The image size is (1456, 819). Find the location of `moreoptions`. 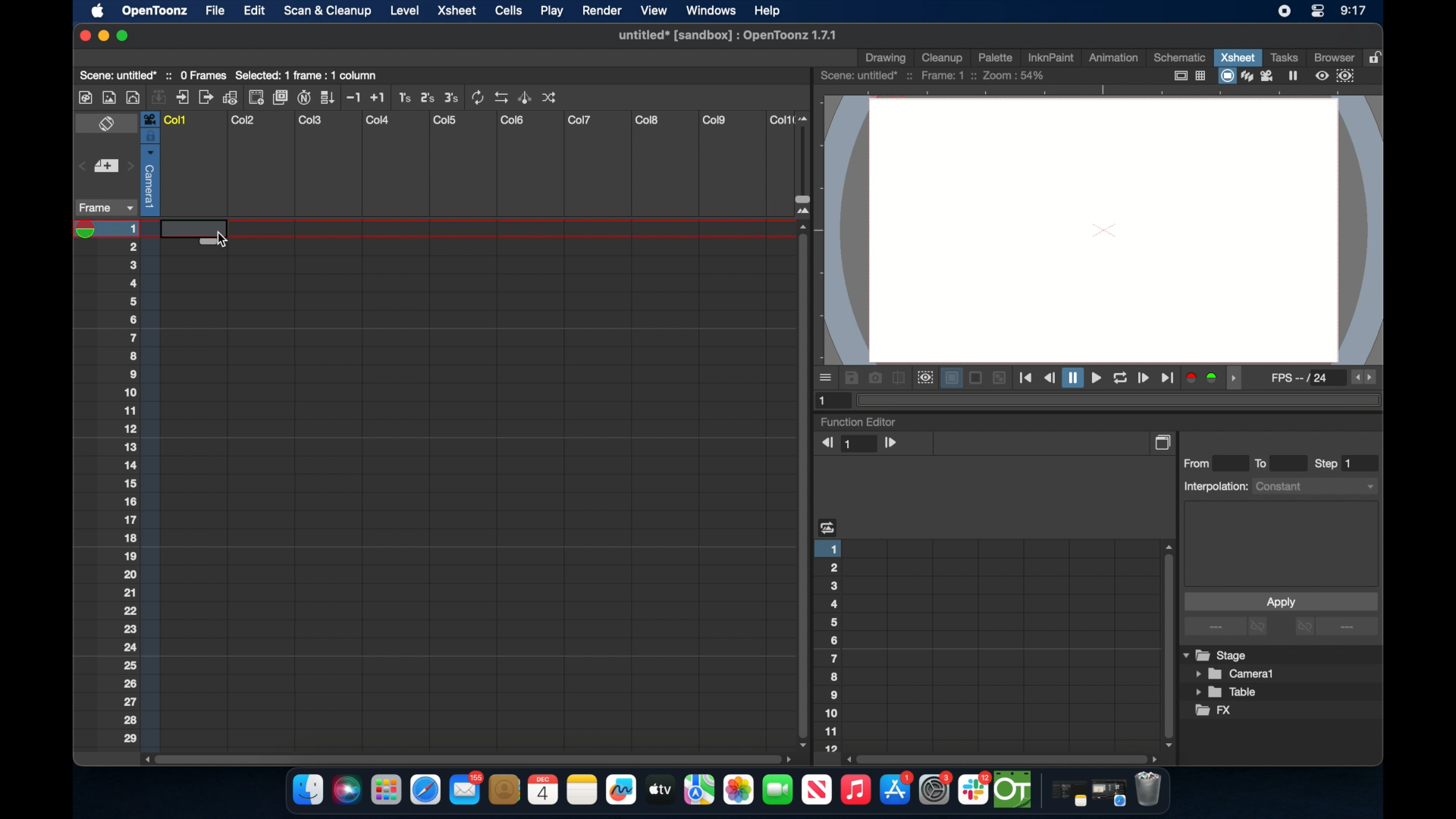

moreoptions is located at coordinates (827, 377).